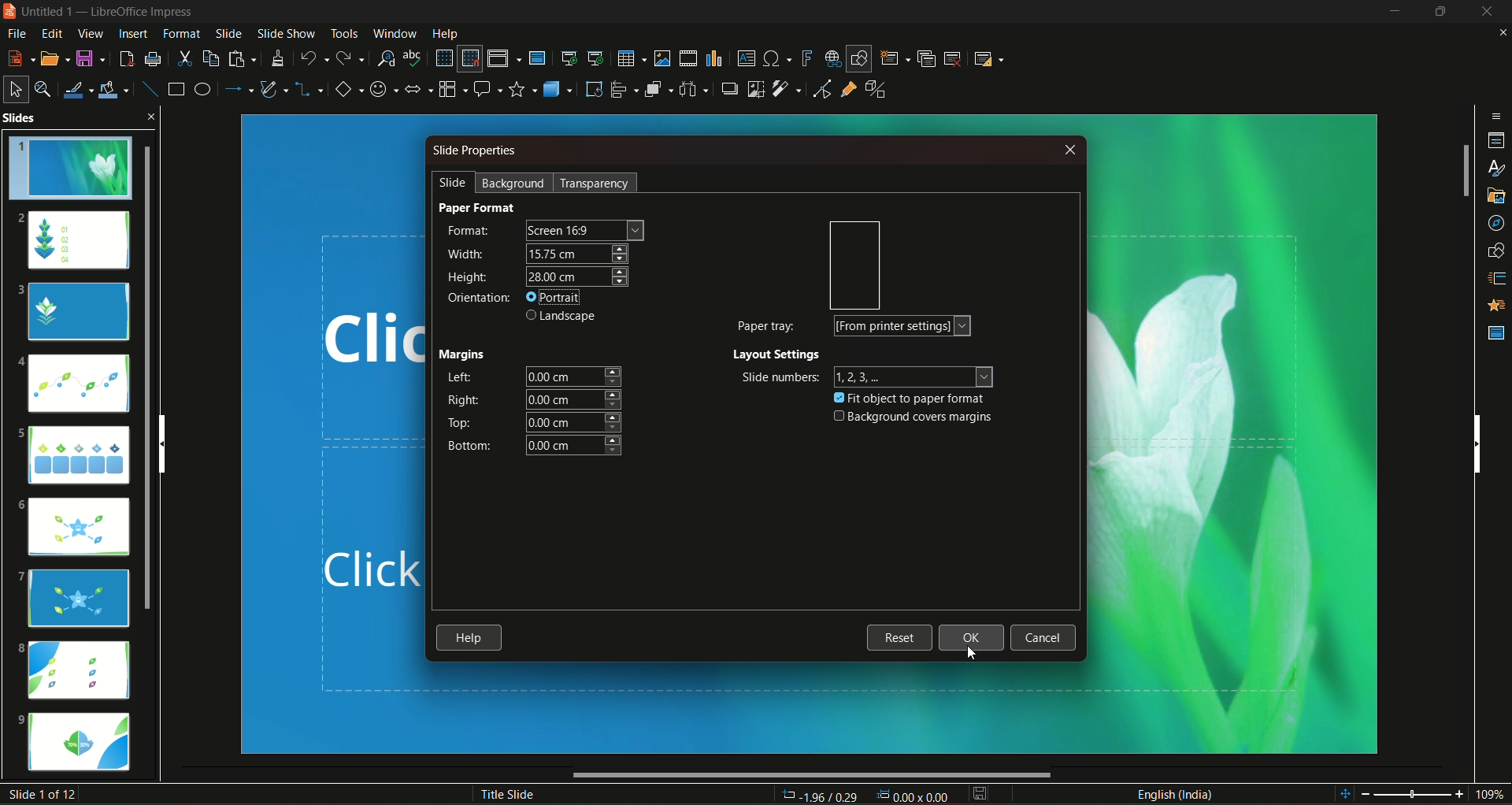 The image size is (1512, 805). Describe the element at coordinates (1067, 150) in the screenshot. I see `close` at that location.